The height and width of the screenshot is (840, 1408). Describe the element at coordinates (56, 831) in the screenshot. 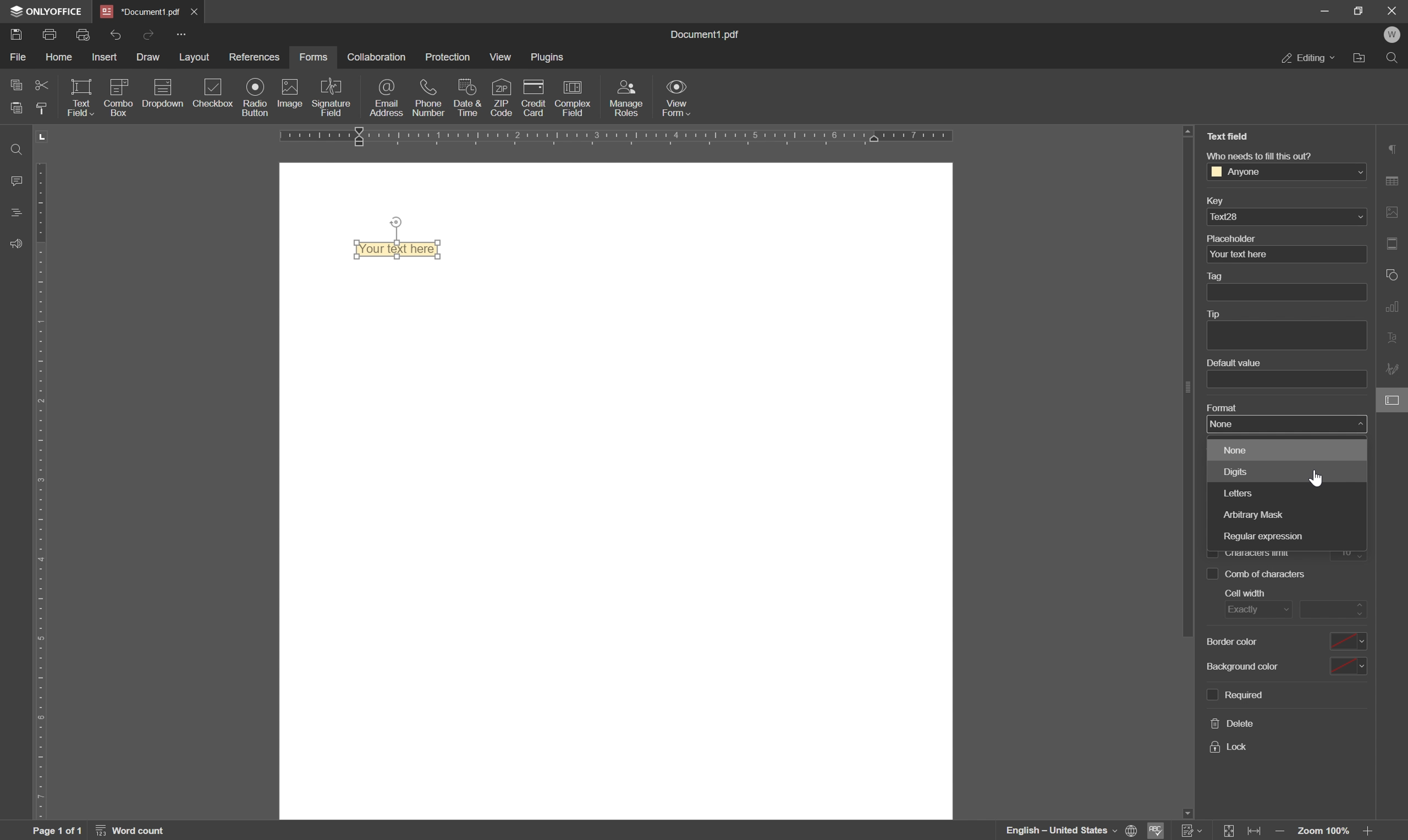

I see `page 1 of 1` at that location.